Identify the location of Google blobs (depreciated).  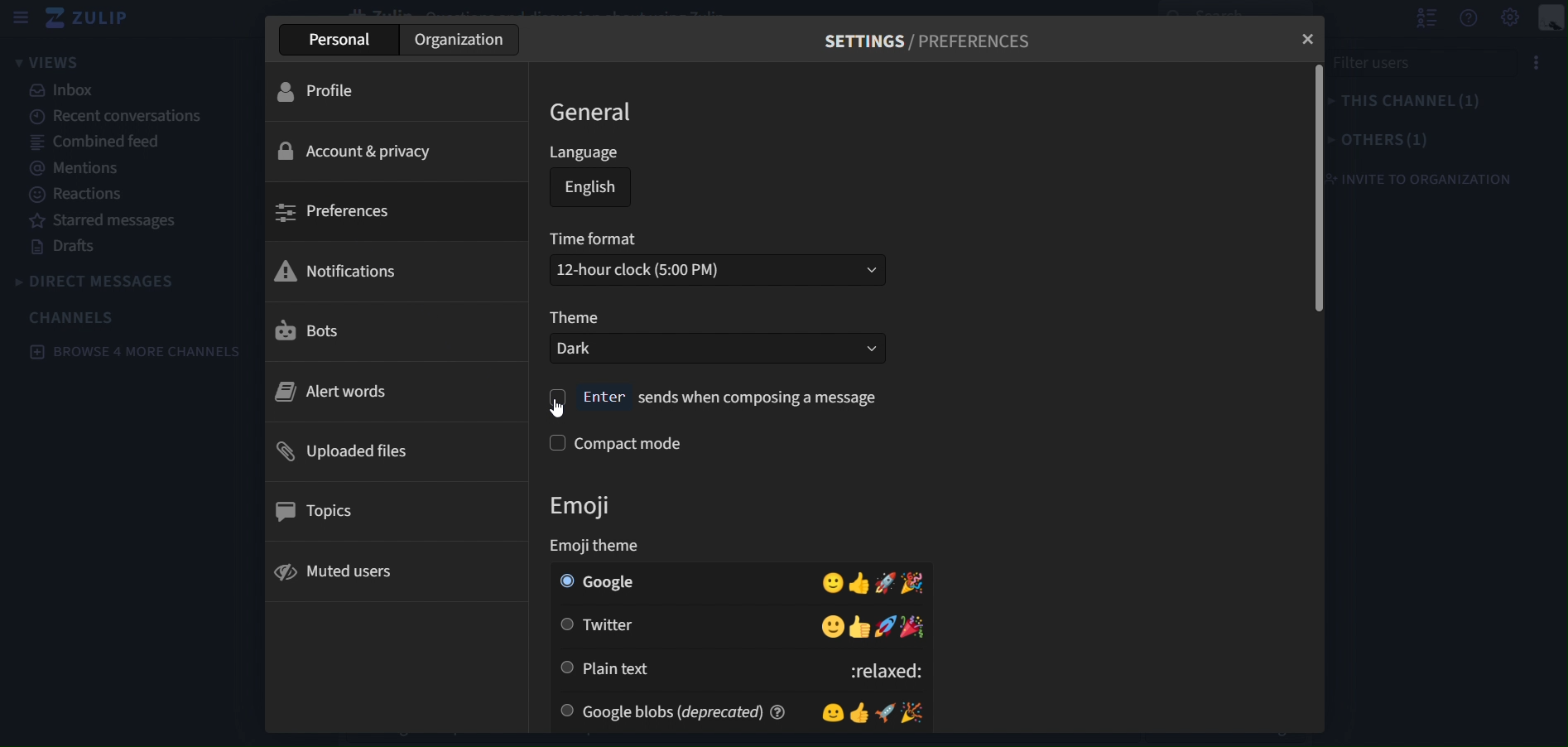
(695, 711).